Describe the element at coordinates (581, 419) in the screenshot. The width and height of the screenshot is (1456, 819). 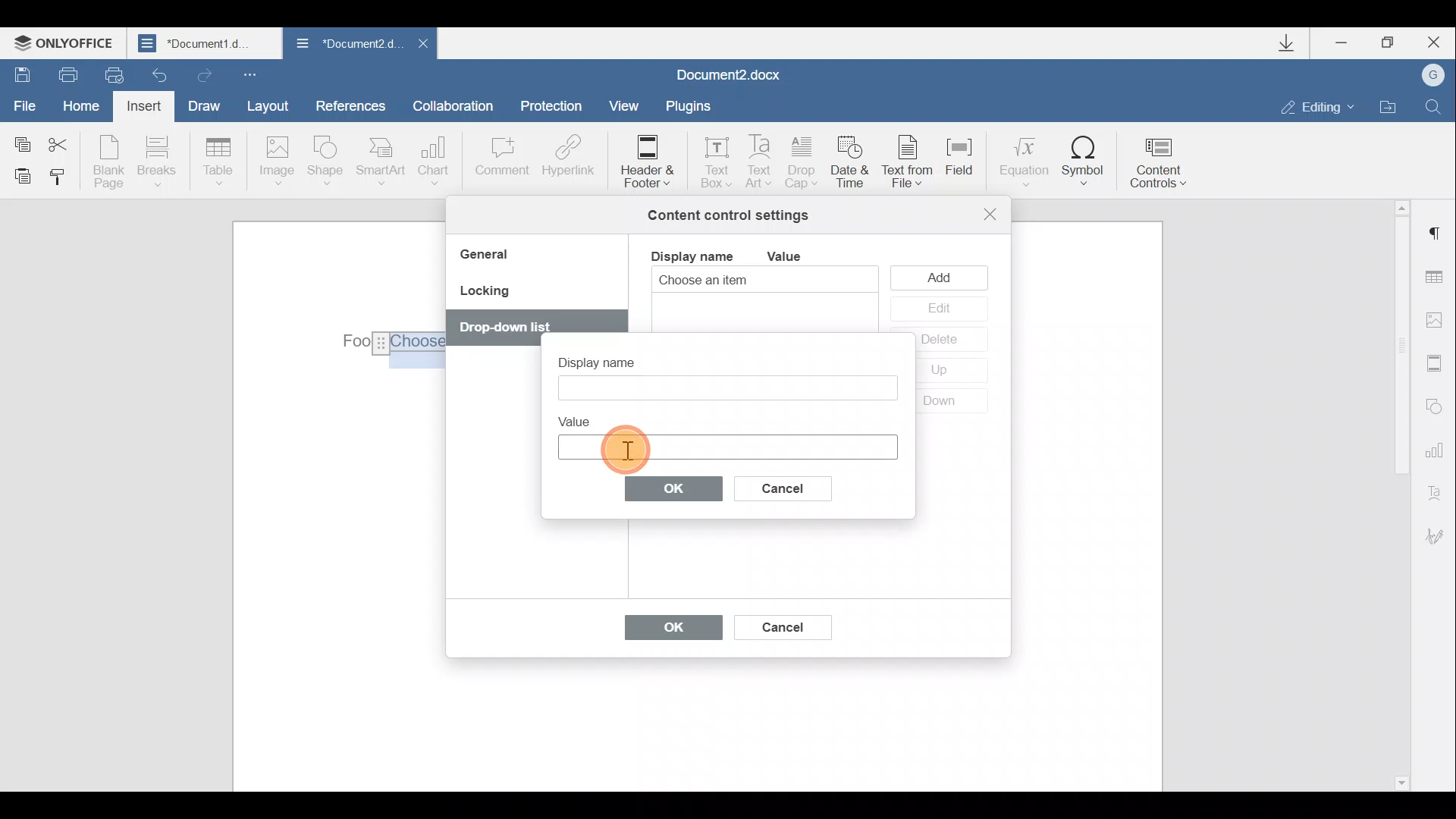
I see `Value` at that location.